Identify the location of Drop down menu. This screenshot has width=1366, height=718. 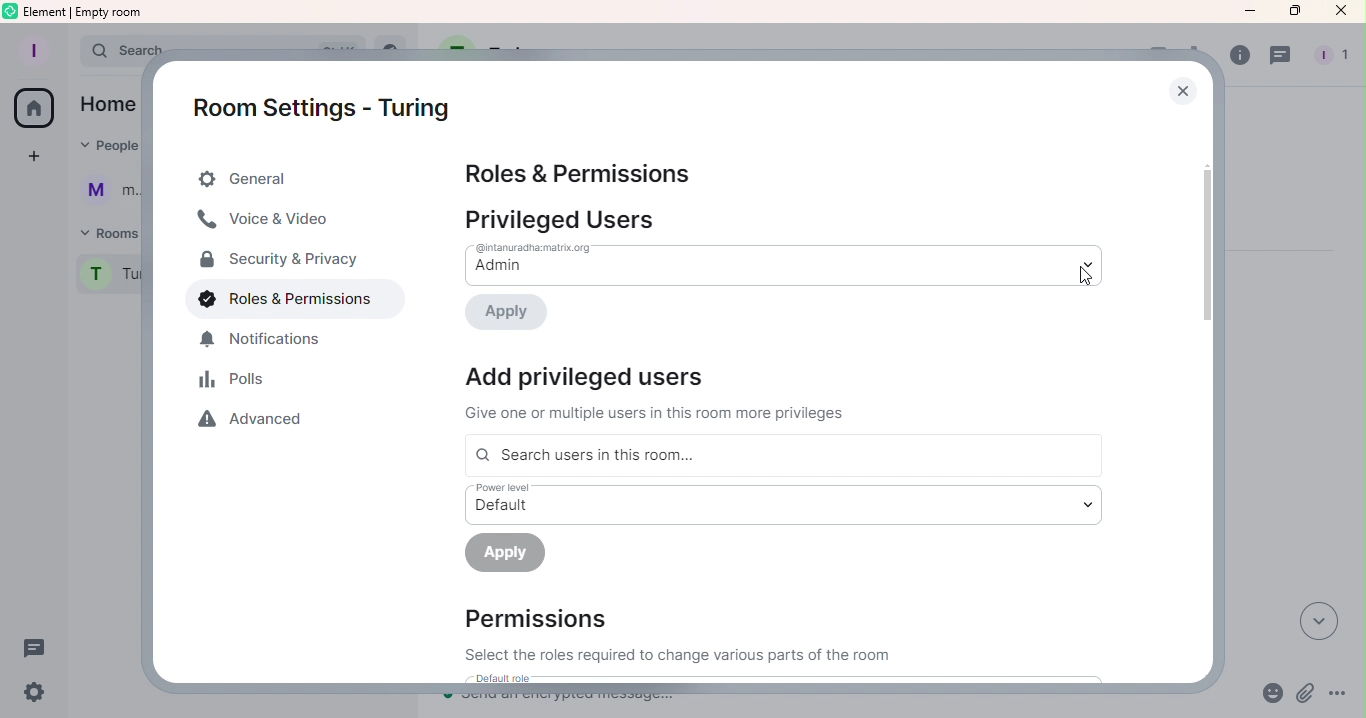
(783, 502).